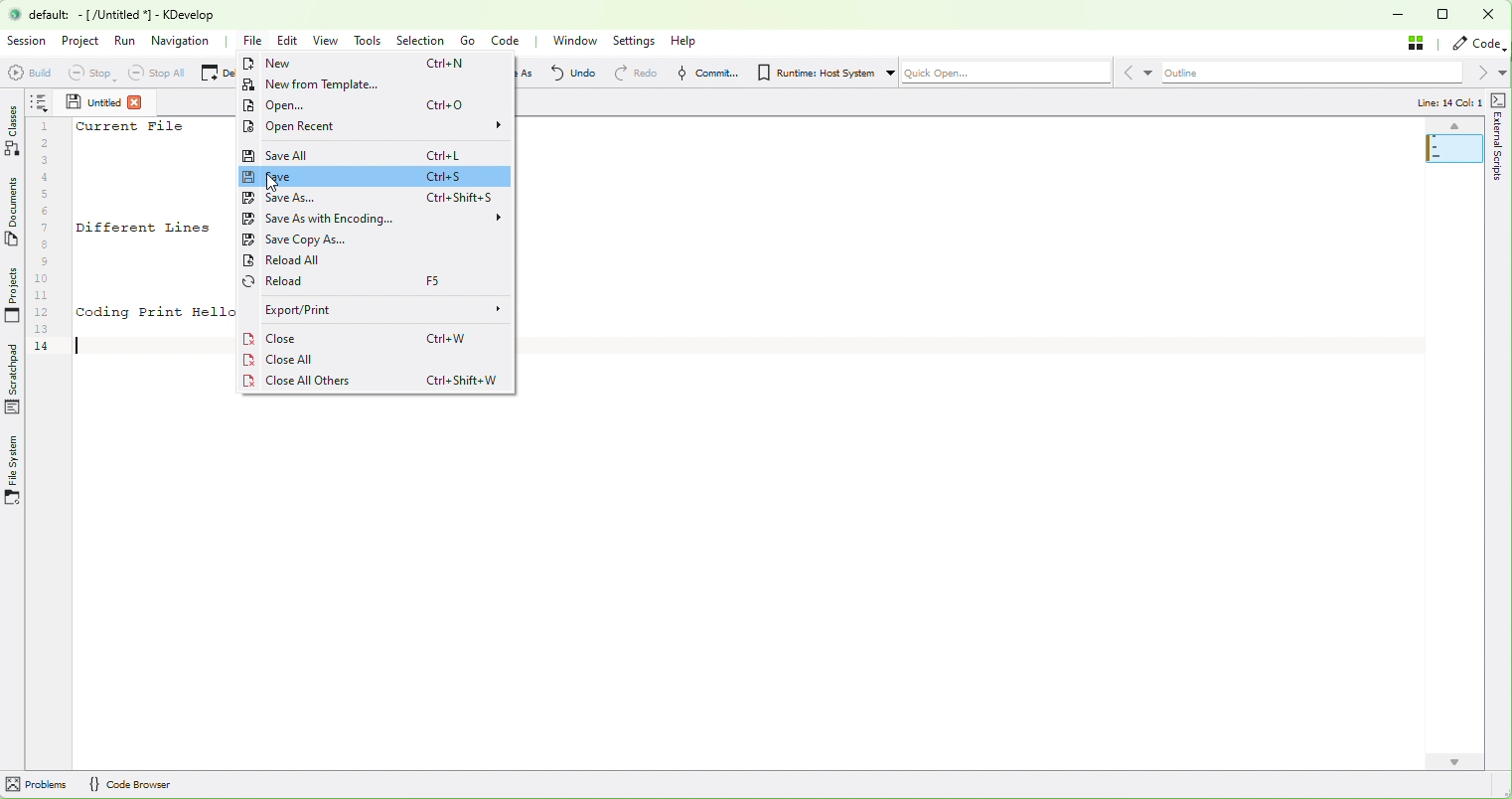 The image size is (1512, 799). Describe the element at coordinates (323, 382) in the screenshot. I see `Close all others` at that location.